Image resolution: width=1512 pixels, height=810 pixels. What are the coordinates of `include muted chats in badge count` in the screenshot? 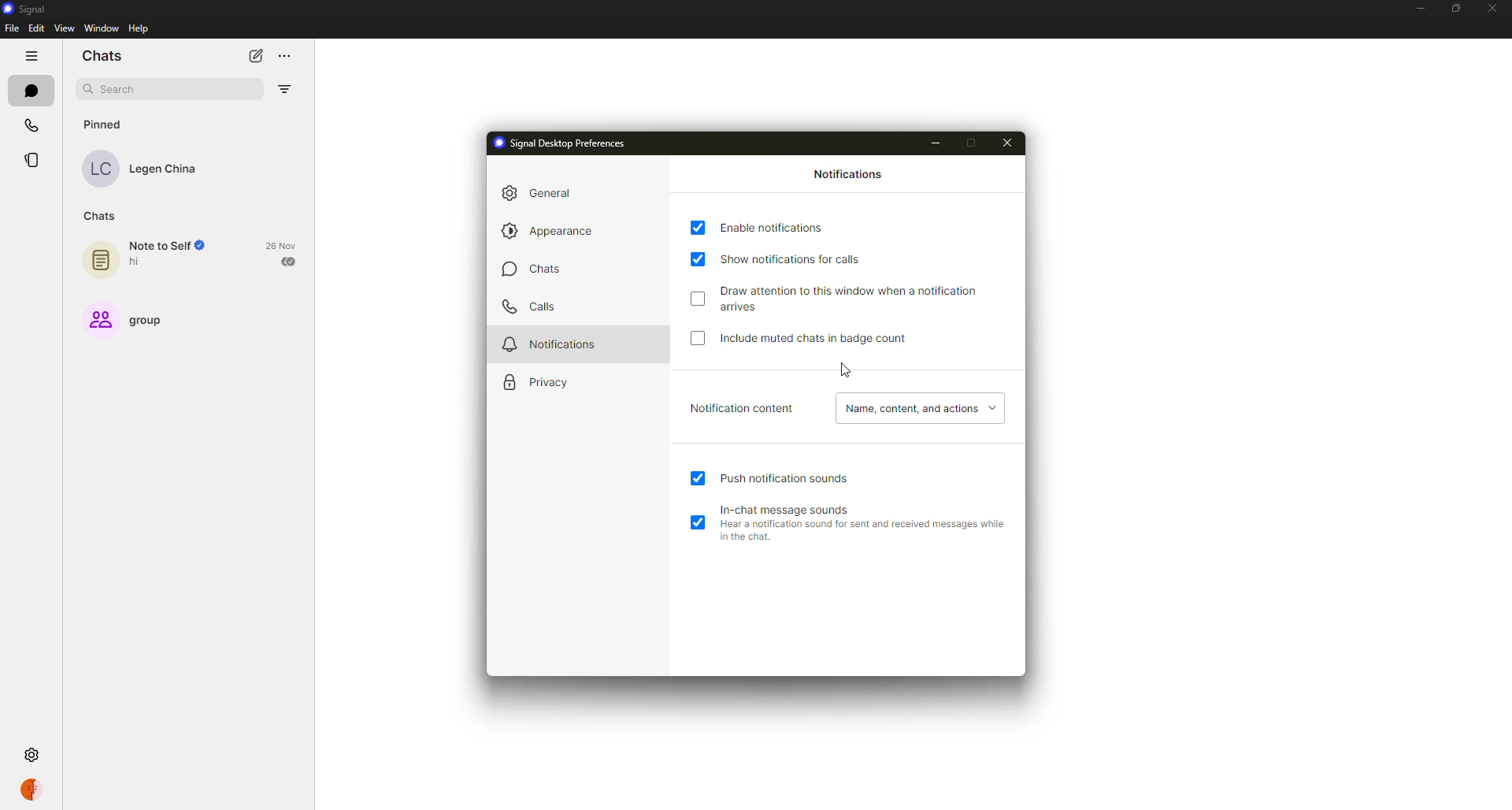 It's located at (813, 340).